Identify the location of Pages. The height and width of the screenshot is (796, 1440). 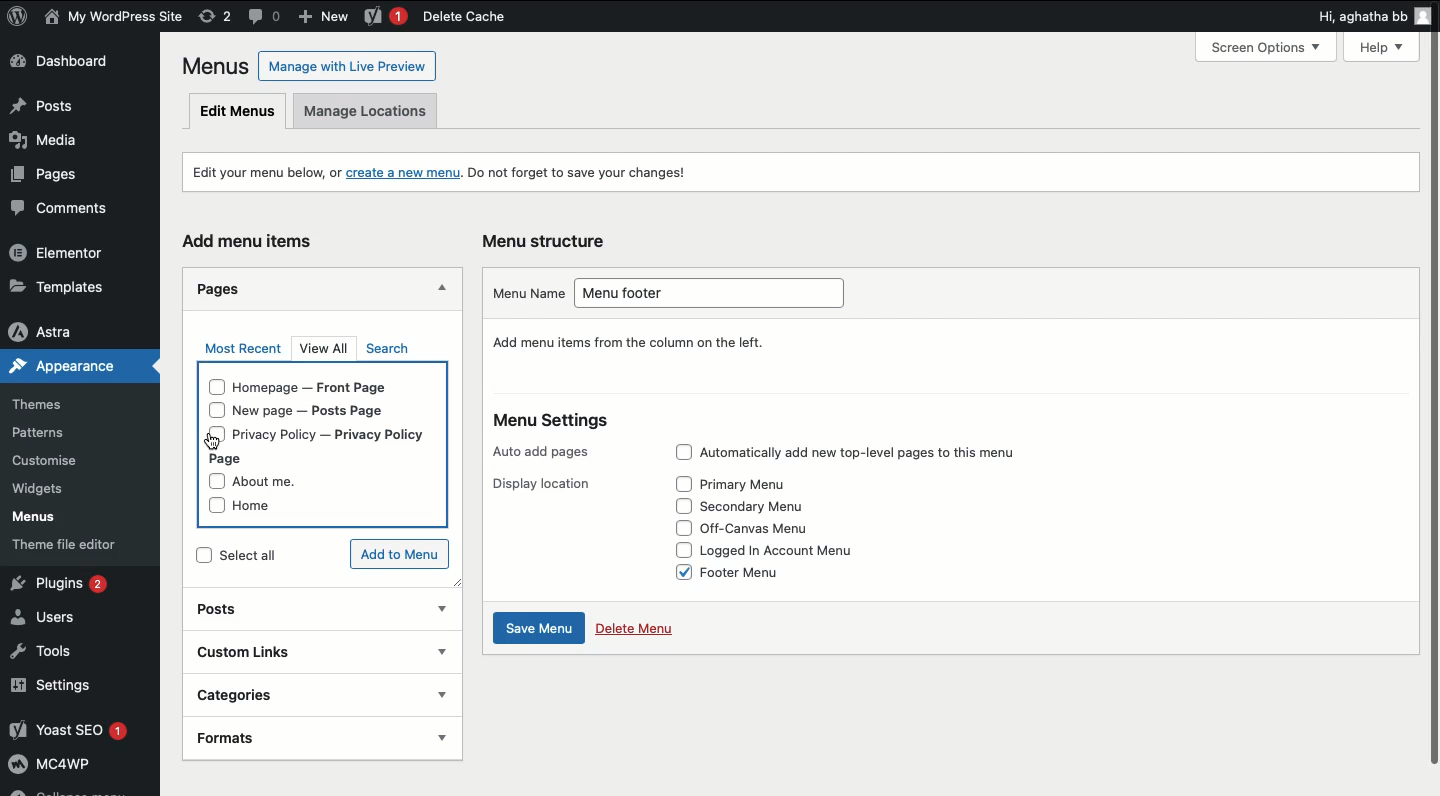
(43, 179).